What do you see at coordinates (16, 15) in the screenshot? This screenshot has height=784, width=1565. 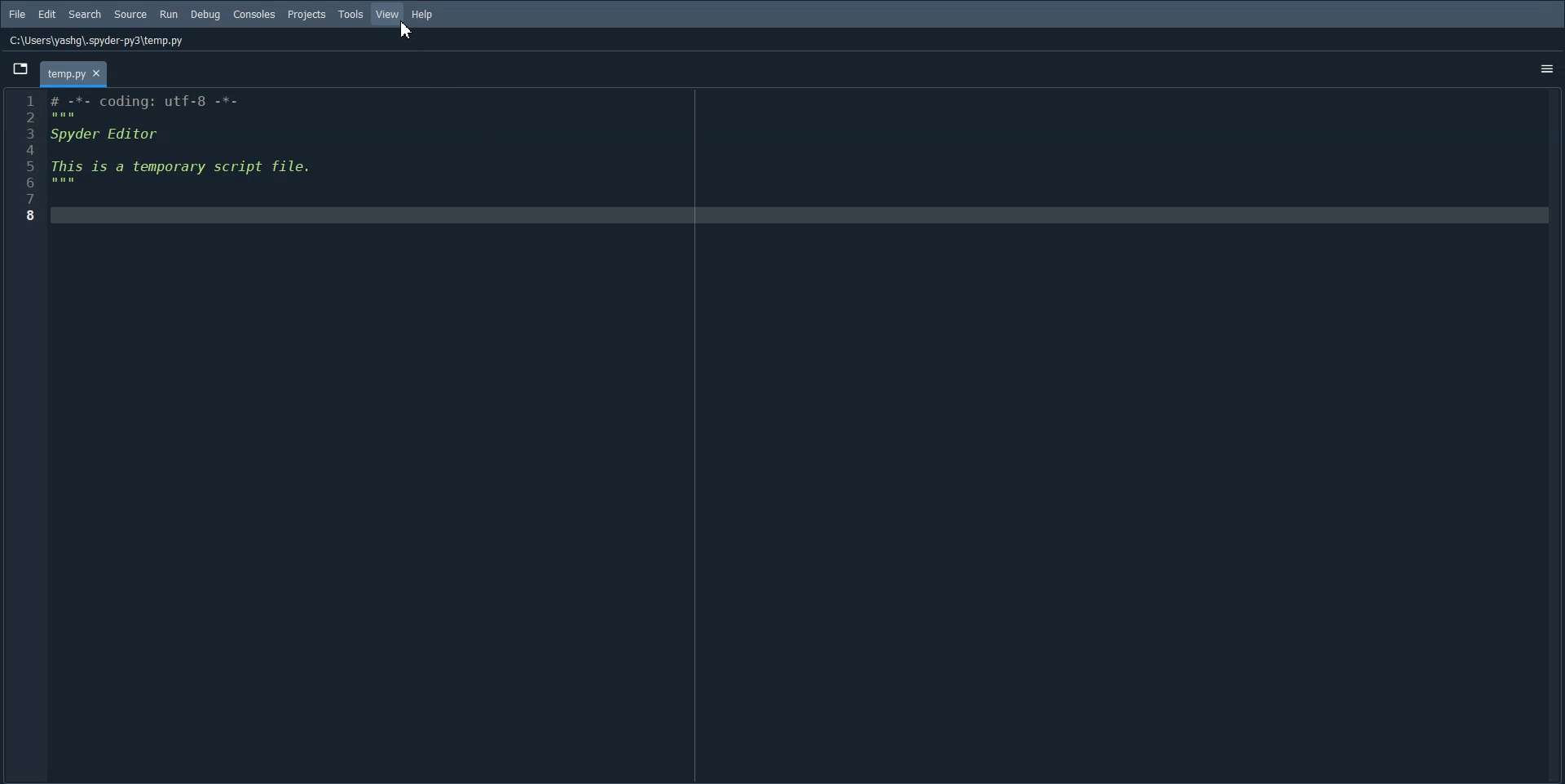 I see `File` at bounding box center [16, 15].